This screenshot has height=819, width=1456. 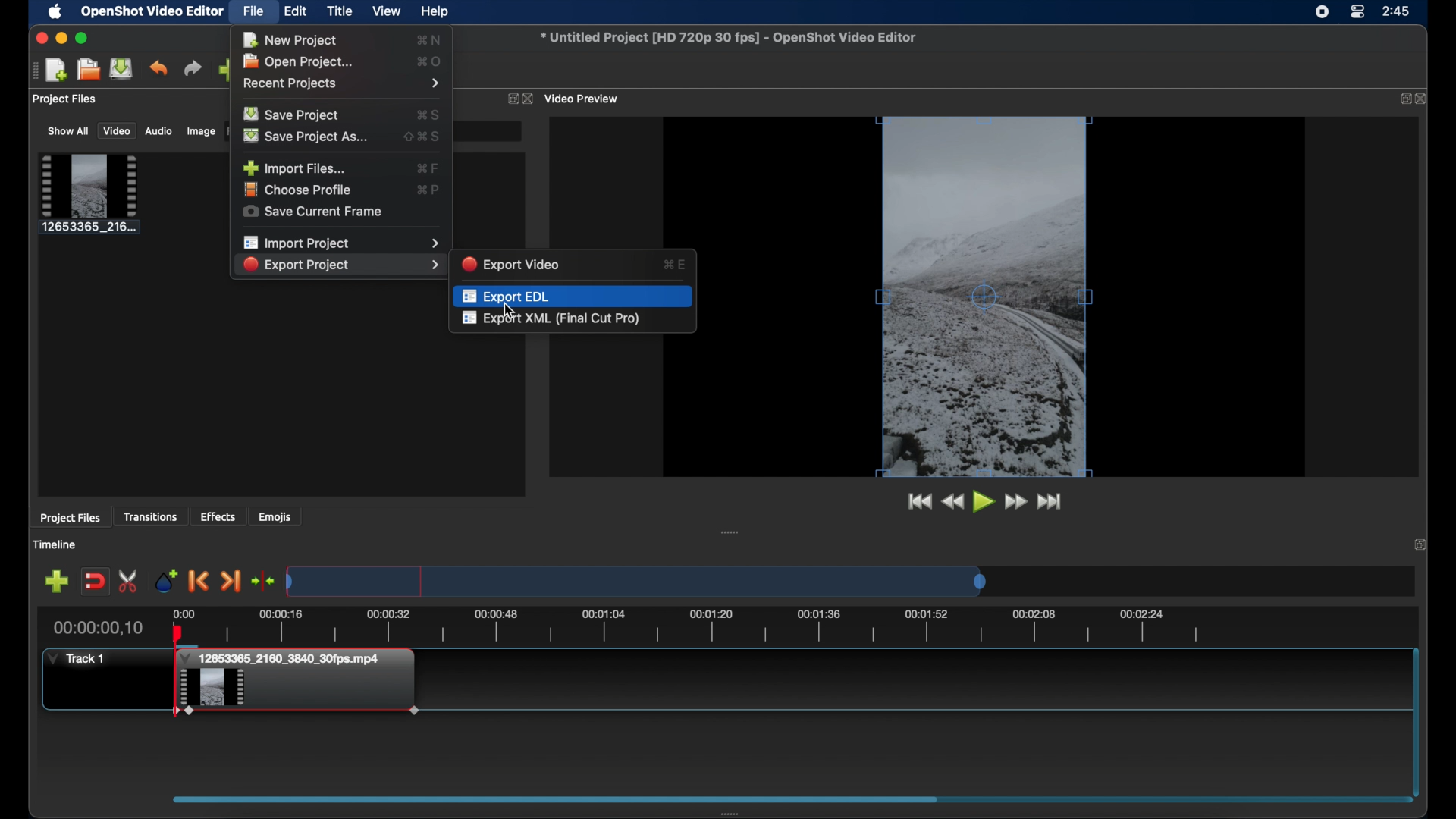 I want to click on save project, so click(x=294, y=115).